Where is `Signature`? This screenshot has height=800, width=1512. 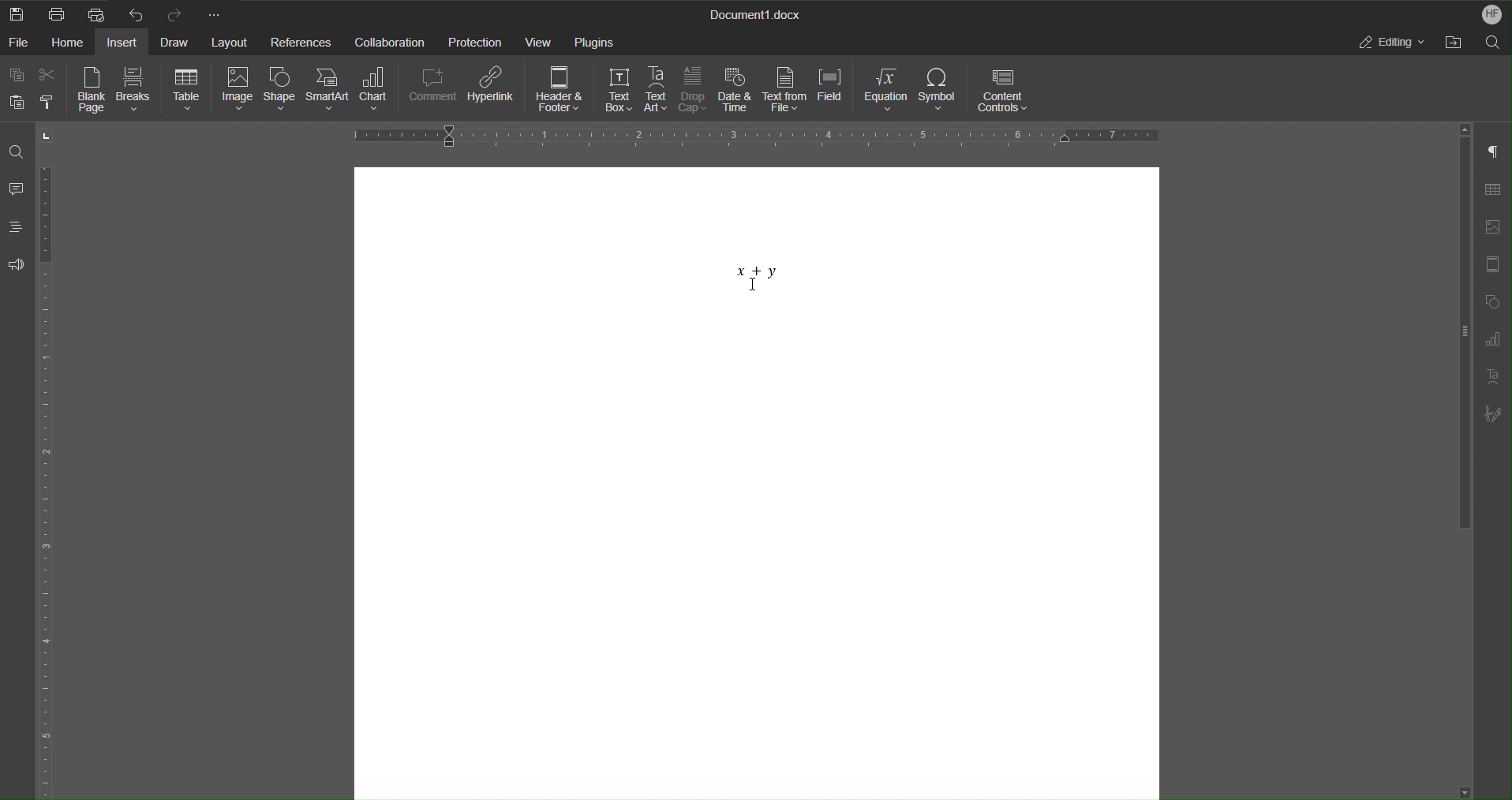 Signature is located at coordinates (1490, 413).